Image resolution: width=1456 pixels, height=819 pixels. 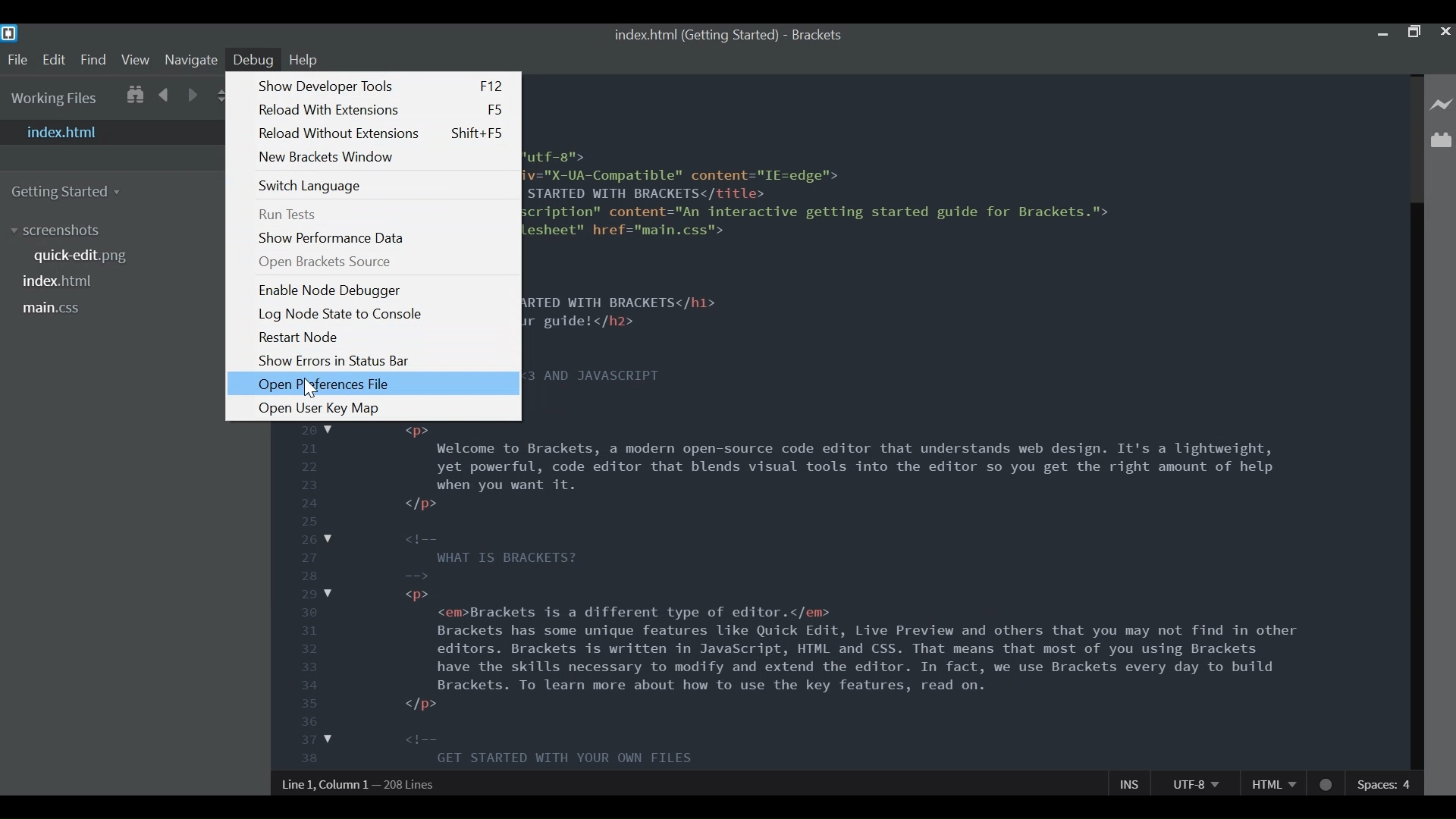 I want to click on quick-edit.png, so click(x=80, y=256).